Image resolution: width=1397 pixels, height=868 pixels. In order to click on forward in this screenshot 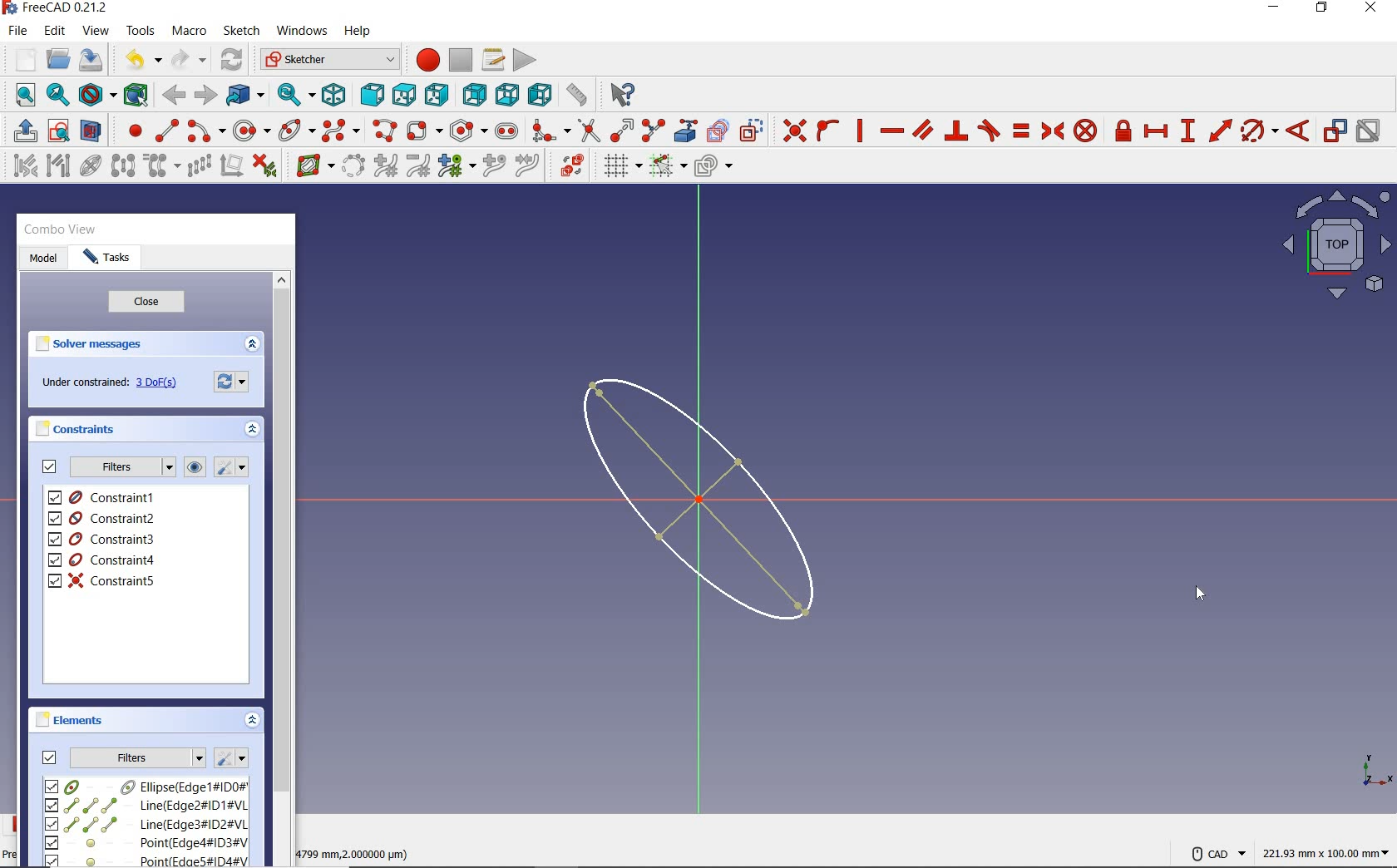, I will do `click(204, 96)`.